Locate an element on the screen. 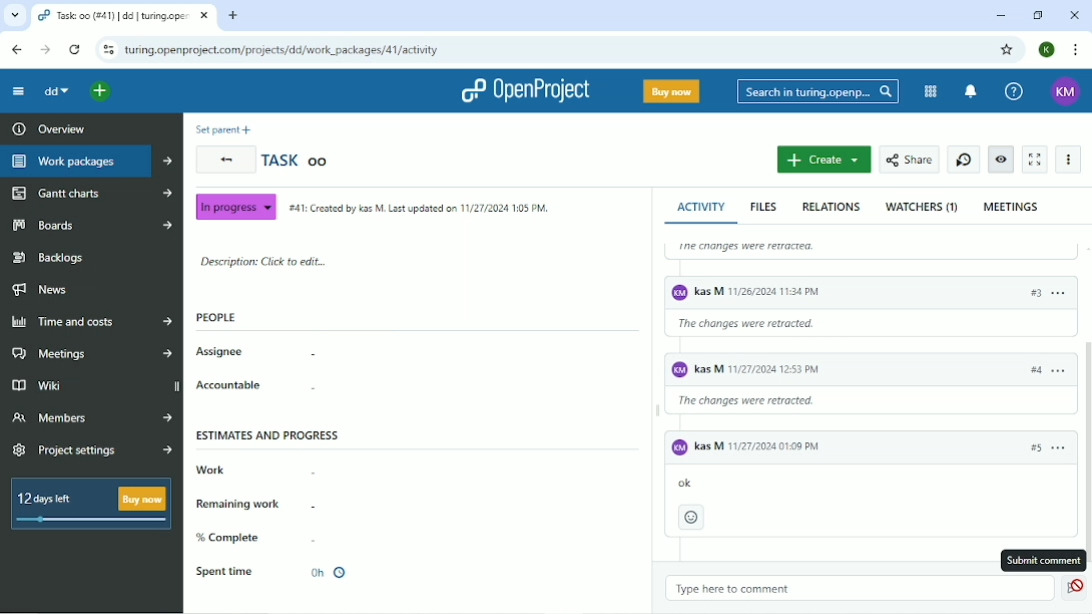 This screenshot has width=1092, height=614. Customize and control google chrome is located at coordinates (1076, 51).